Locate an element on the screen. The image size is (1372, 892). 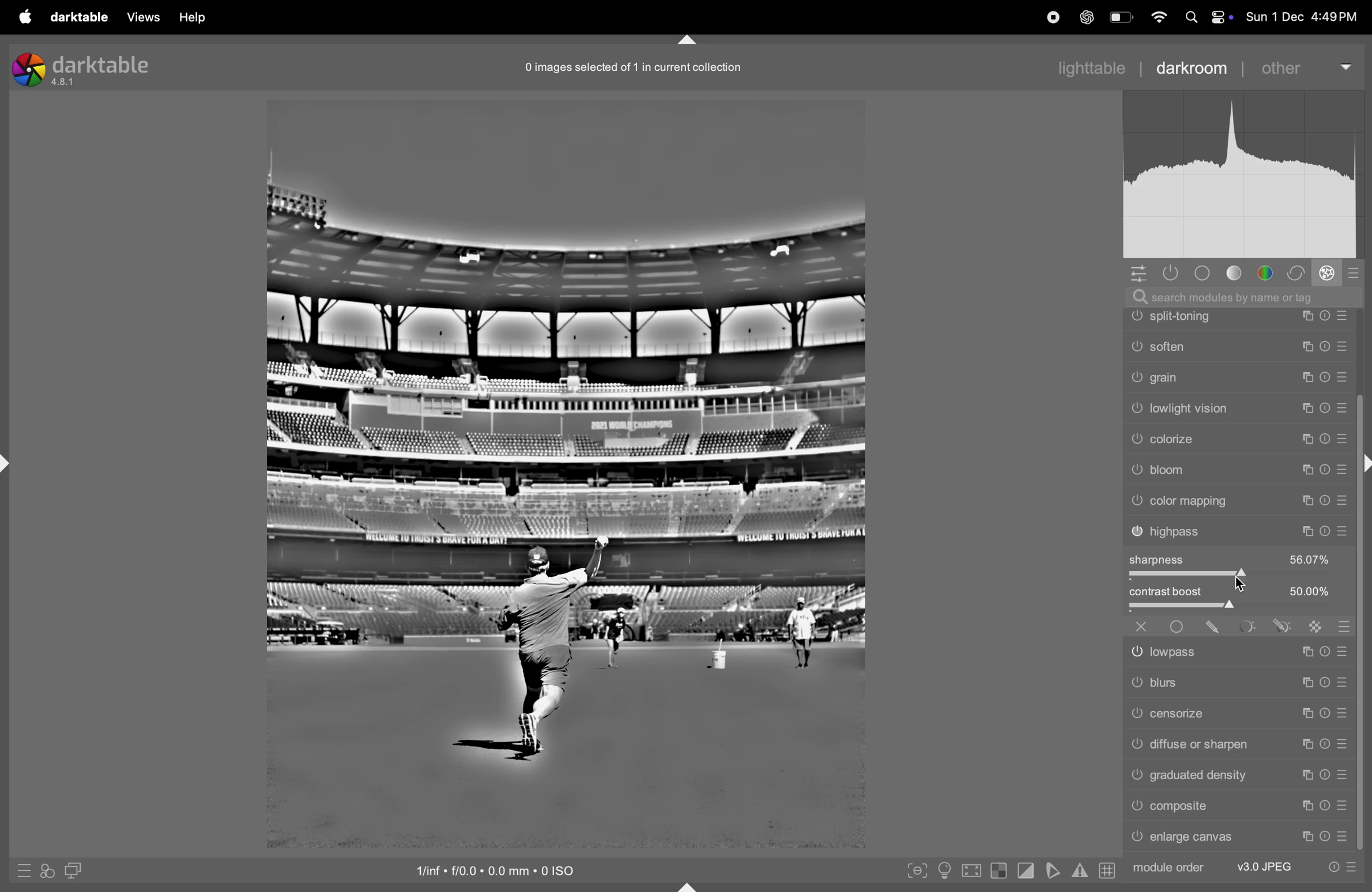
apple widgets is located at coordinates (1209, 17).